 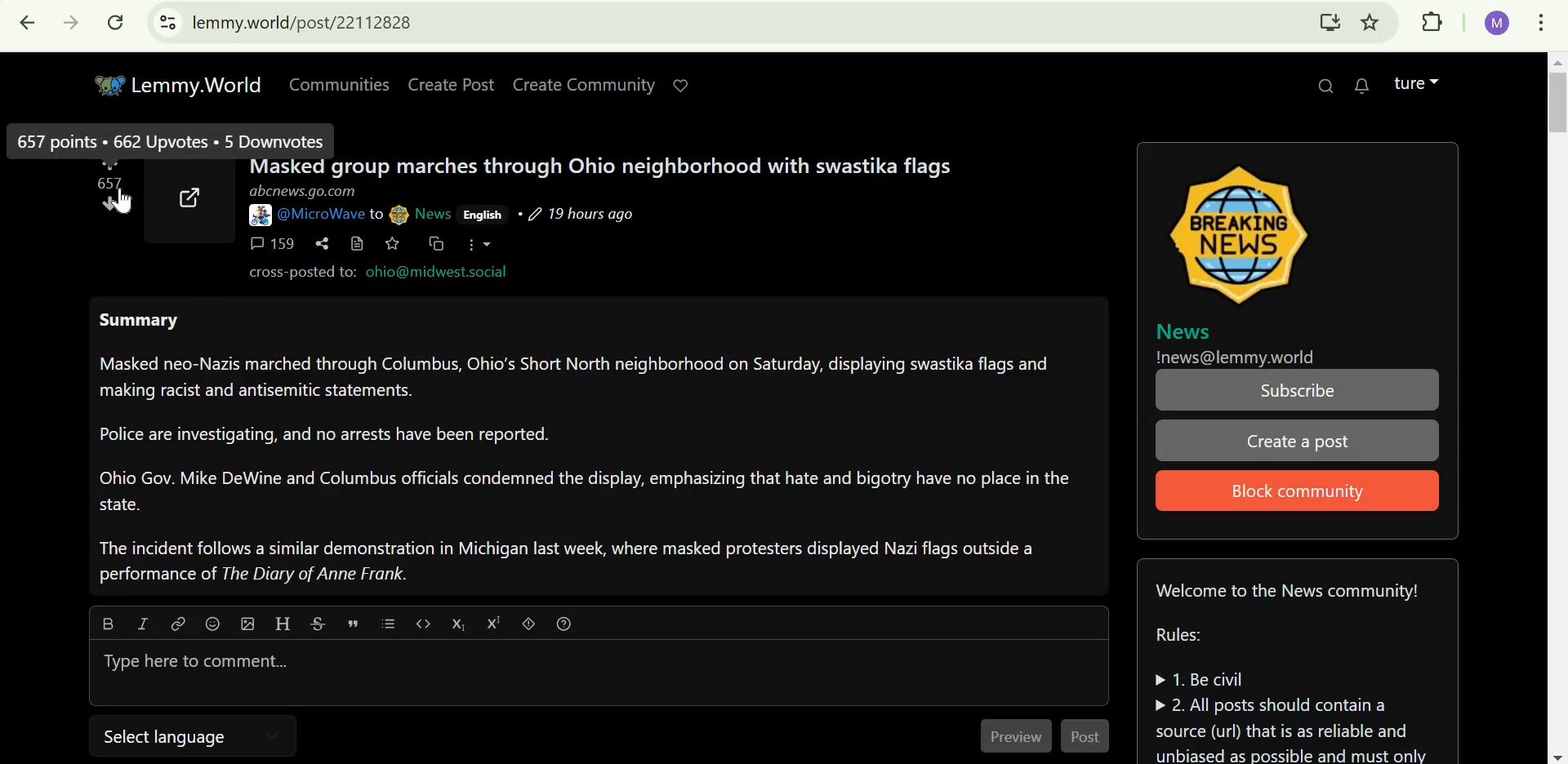 What do you see at coordinates (581, 214) in the screenshot?
I see `19 hours ago` at bounding box center [581, 214].